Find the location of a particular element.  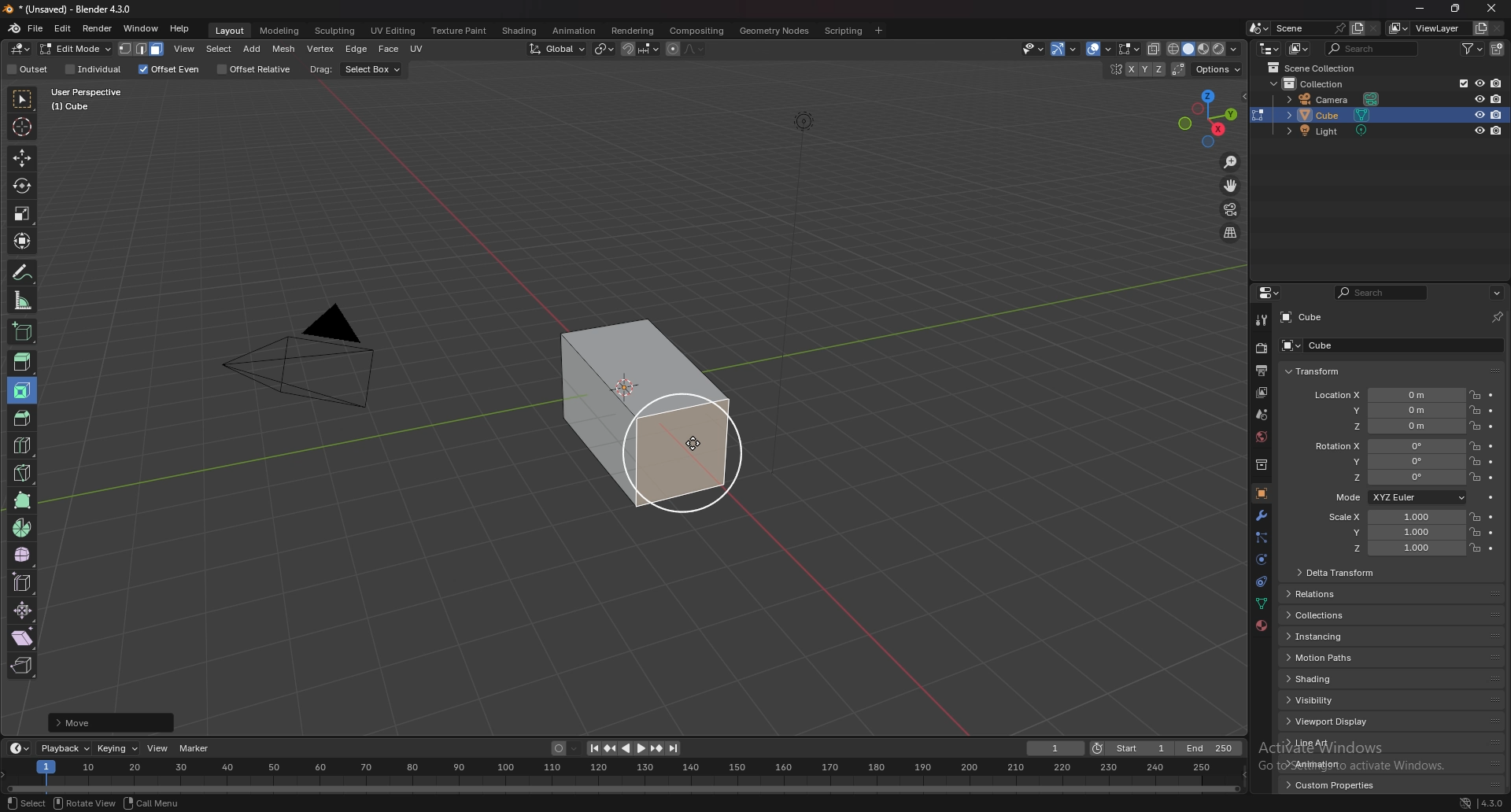

remove view layer is located at coordinates (1498, 29).